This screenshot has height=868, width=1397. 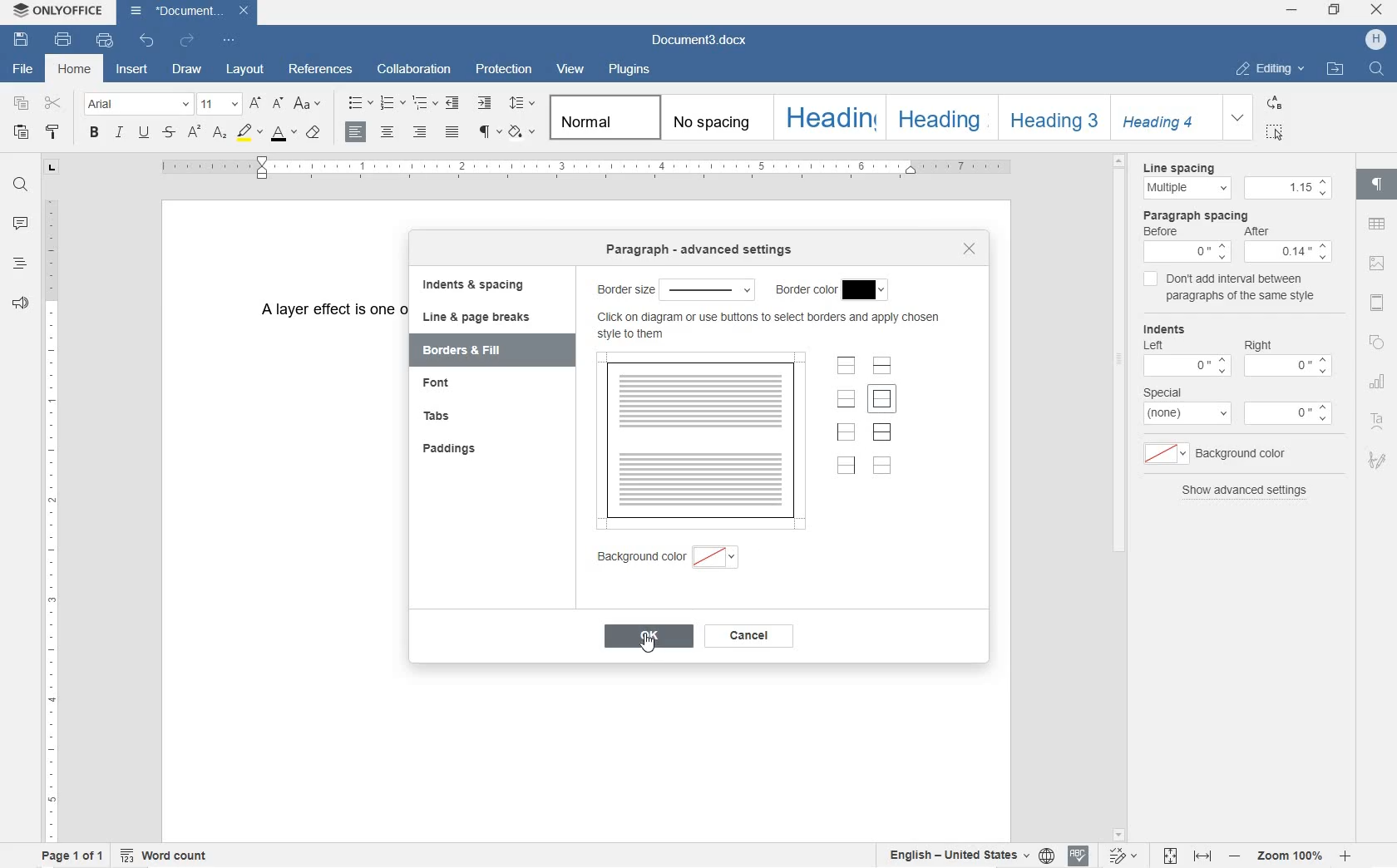 What do you see at coordinates (132, 70) in the screenshot?
I see `INSERT` at bounding box center [132, 70].